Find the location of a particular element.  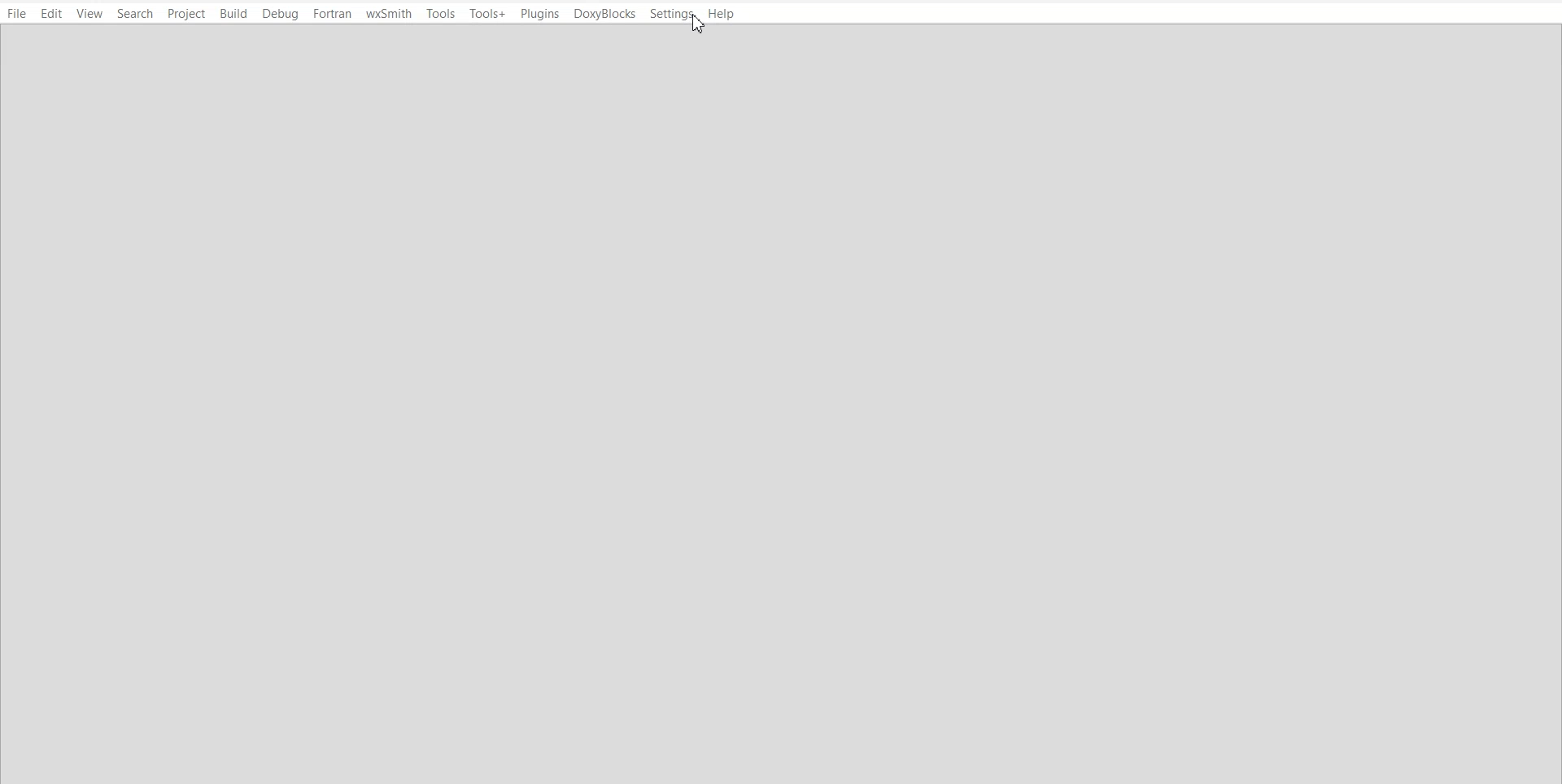

Tools is located at coordinates (441, 13).